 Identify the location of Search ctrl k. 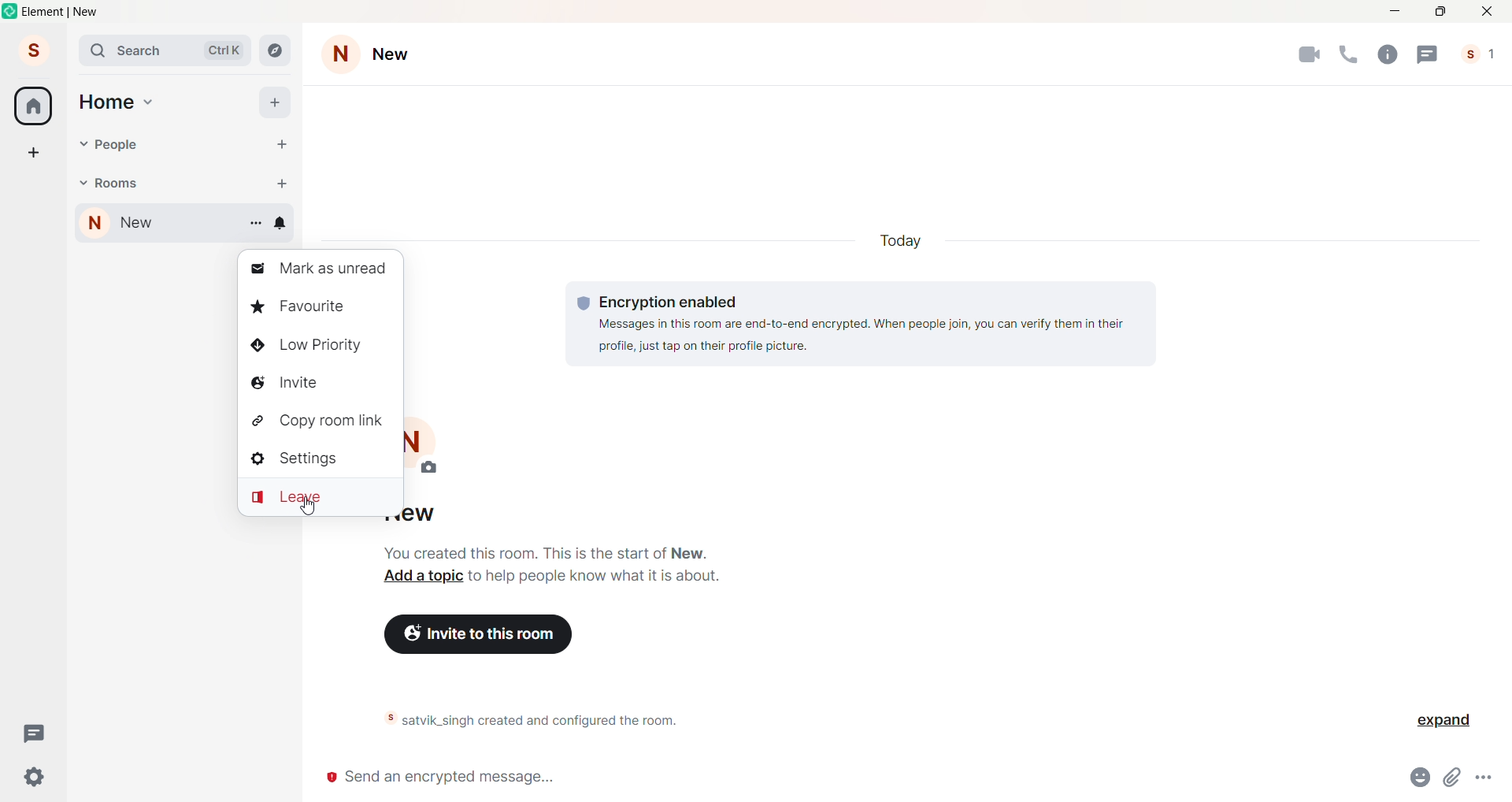
(164, 50).